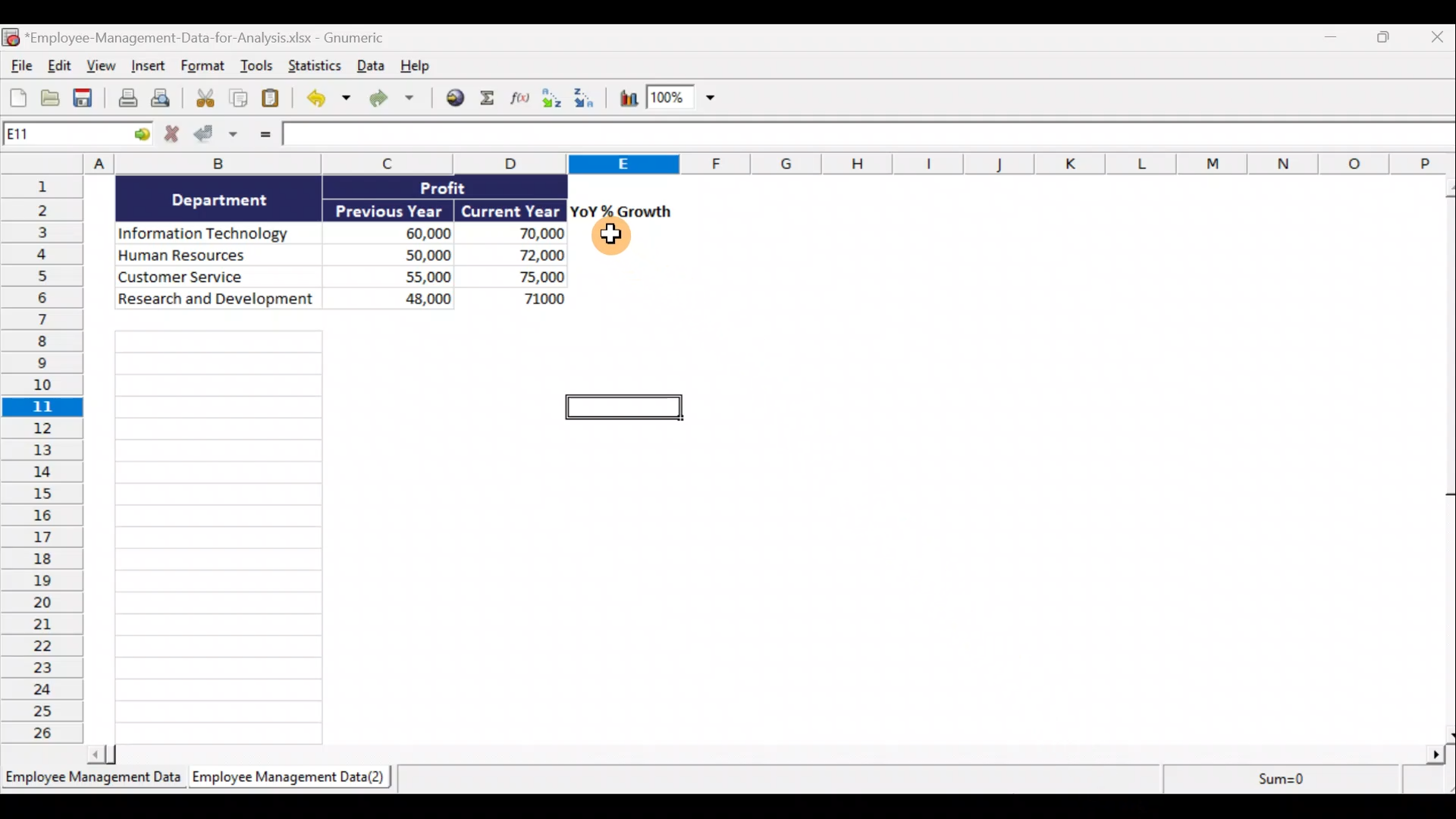  I want to click on Scroll bar, so click(766, 757).